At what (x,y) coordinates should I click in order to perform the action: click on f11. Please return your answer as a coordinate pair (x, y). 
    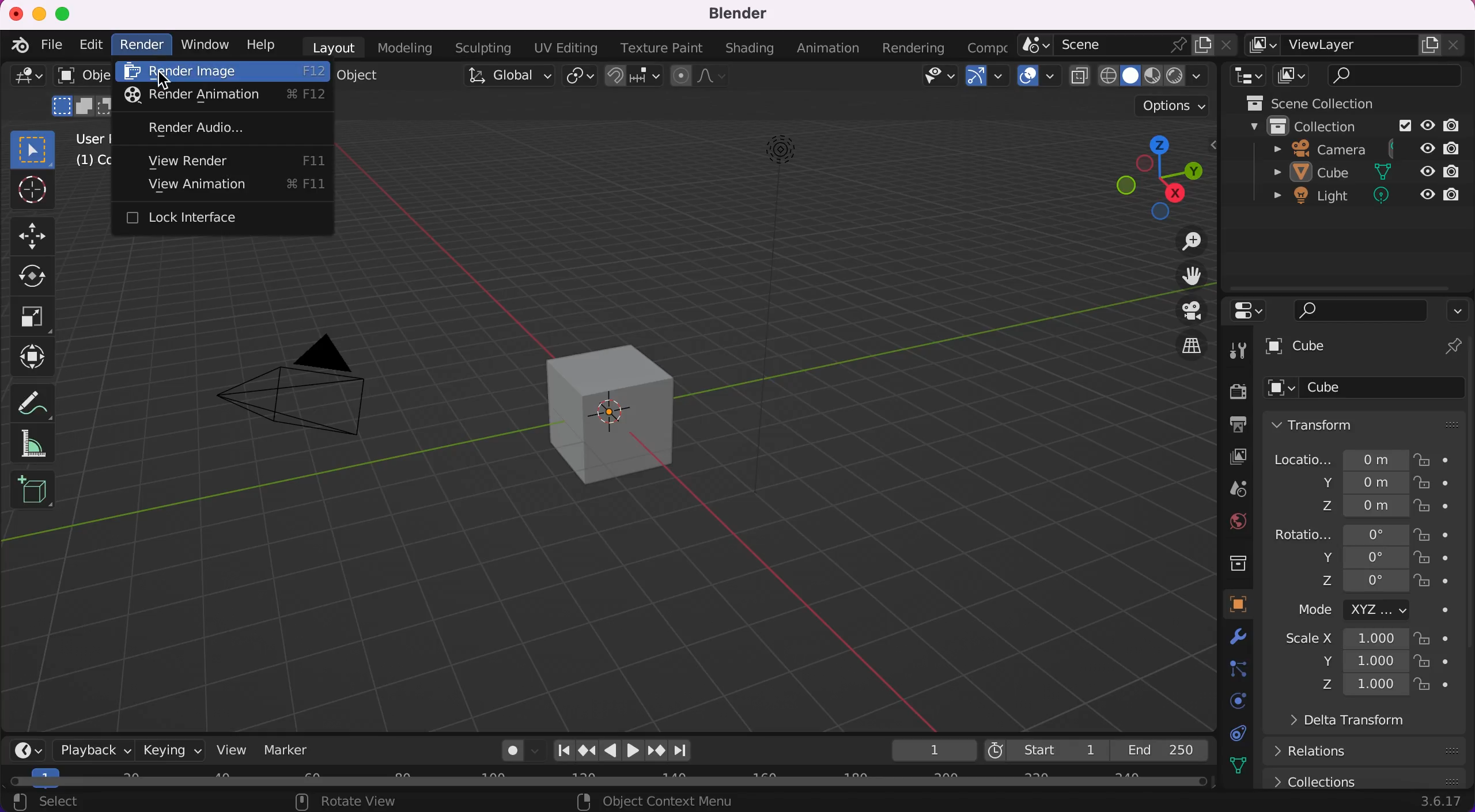
    Looking at the image, I should click on (310, 181).